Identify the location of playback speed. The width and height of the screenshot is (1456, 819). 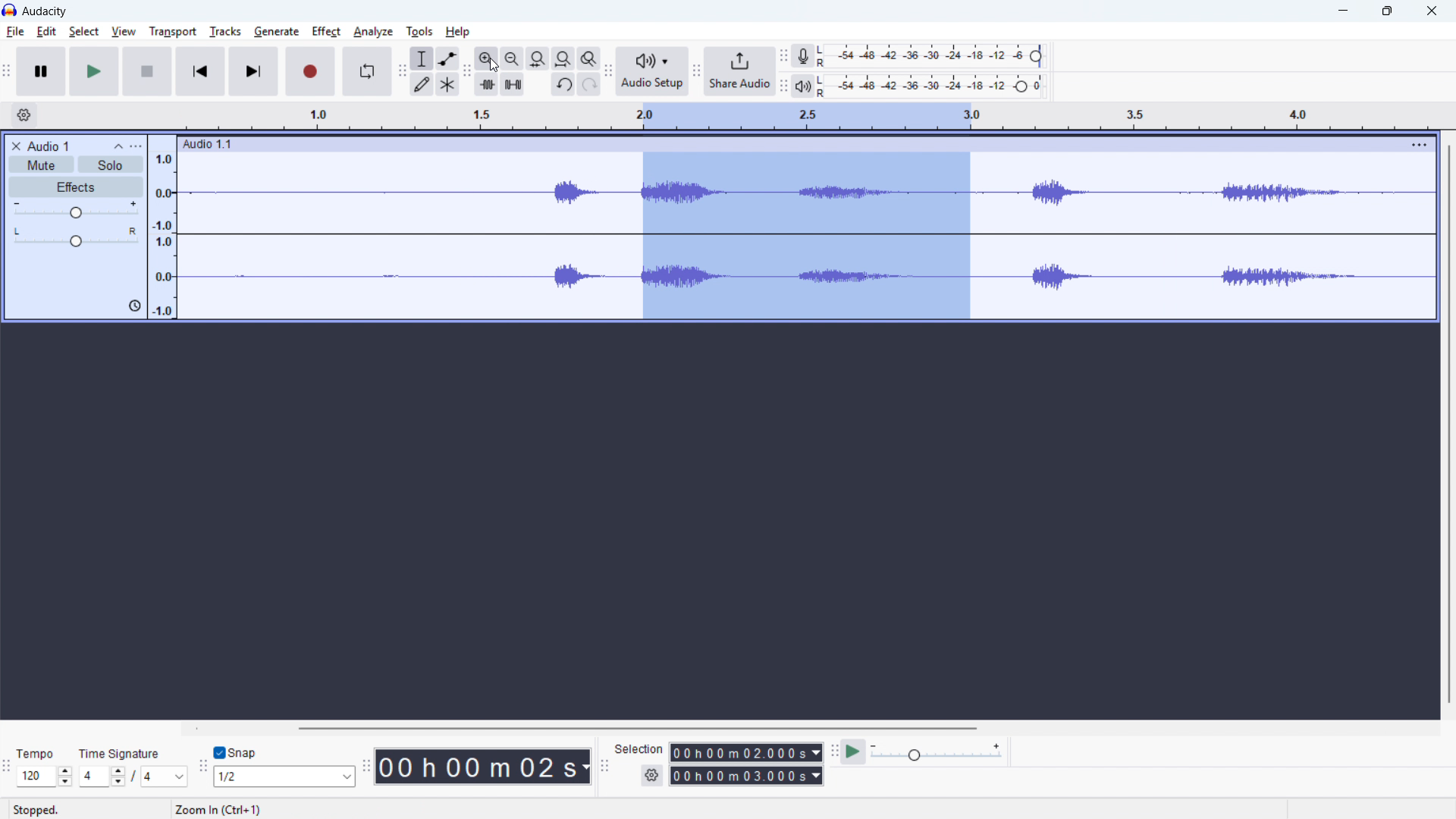
(937, 752).